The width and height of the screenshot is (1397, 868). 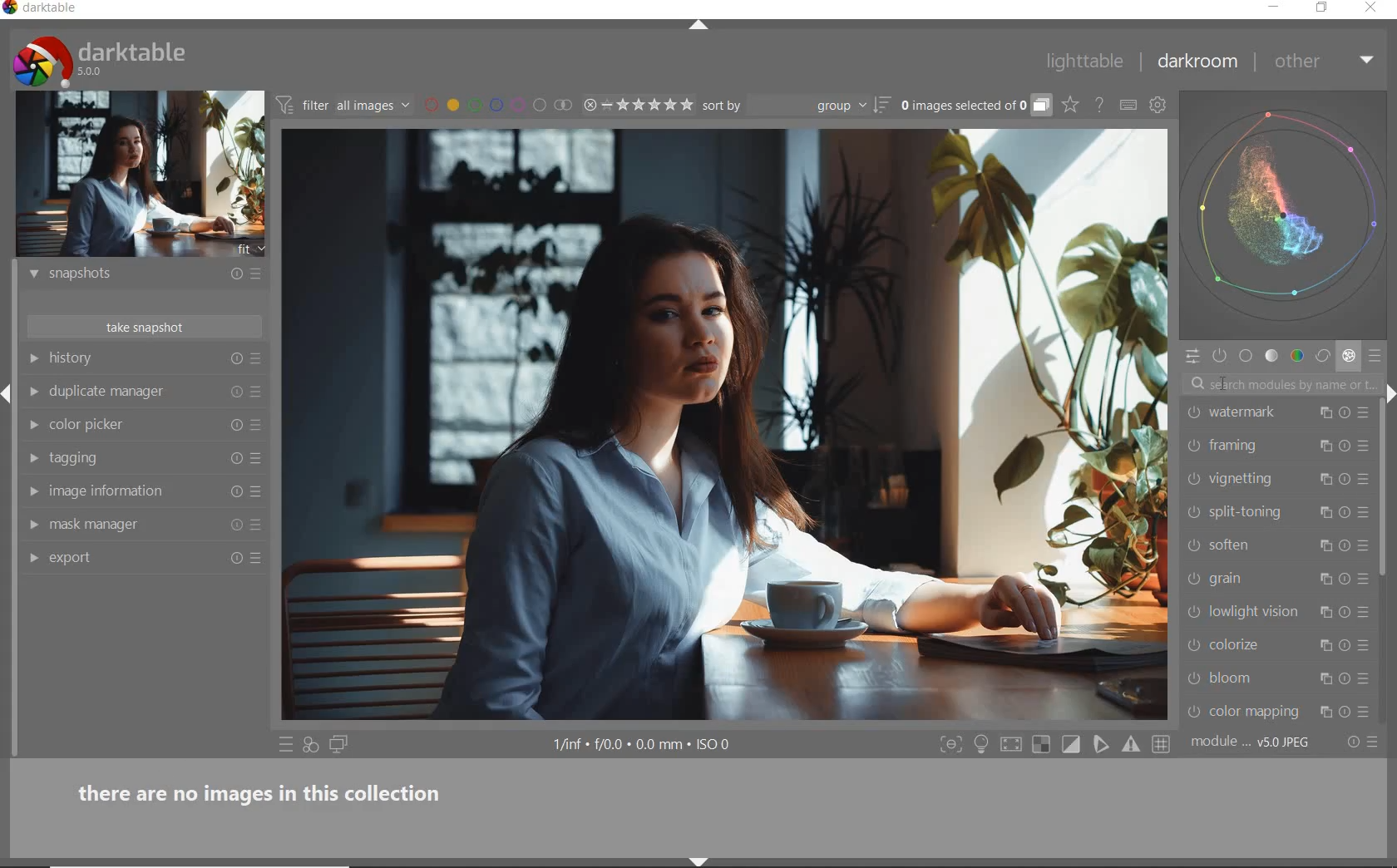 I want to click on reset, so click(x=234, y=492).